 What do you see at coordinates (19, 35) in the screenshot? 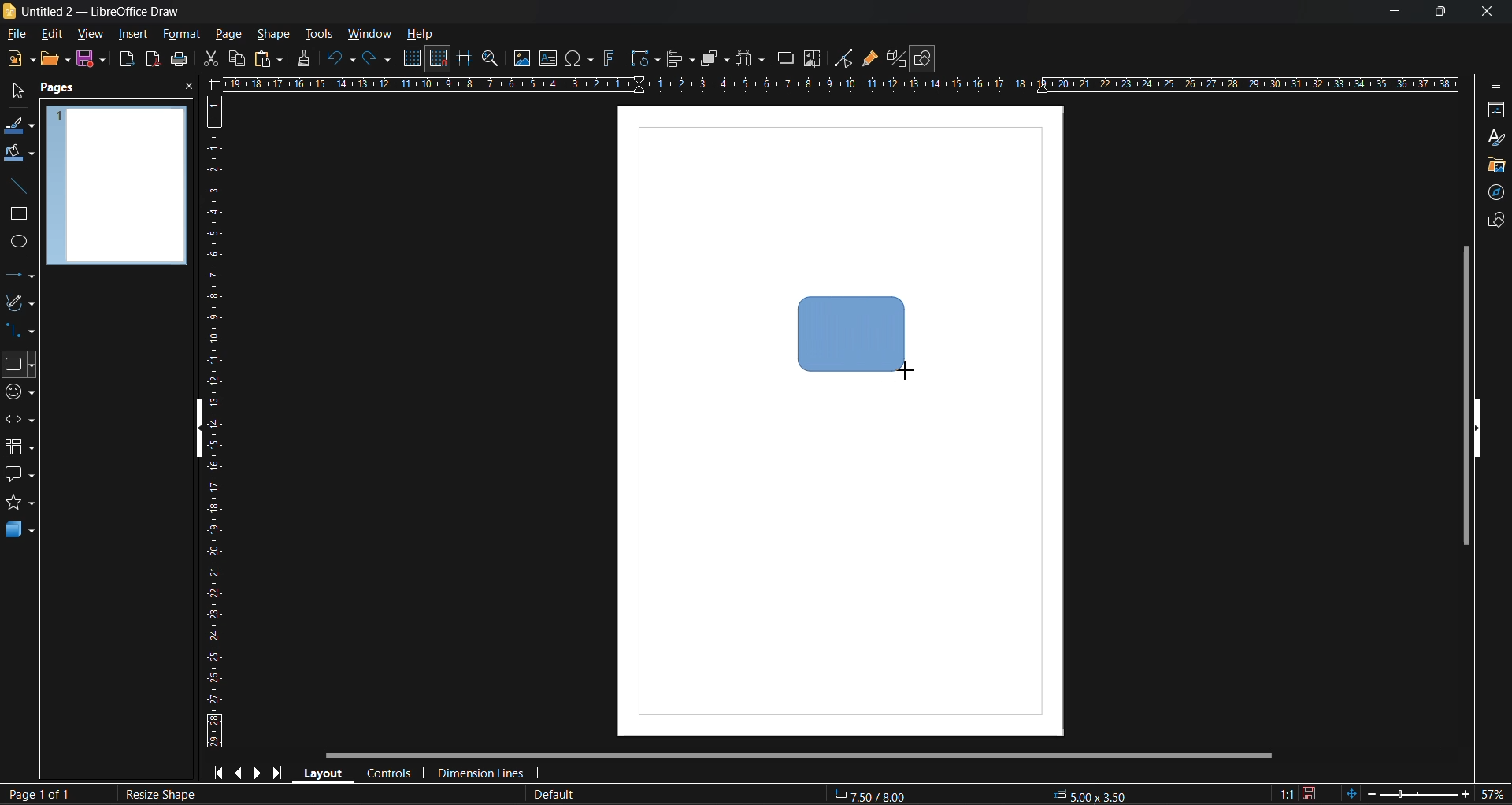
I see `file` at bounding box center [19, 35].